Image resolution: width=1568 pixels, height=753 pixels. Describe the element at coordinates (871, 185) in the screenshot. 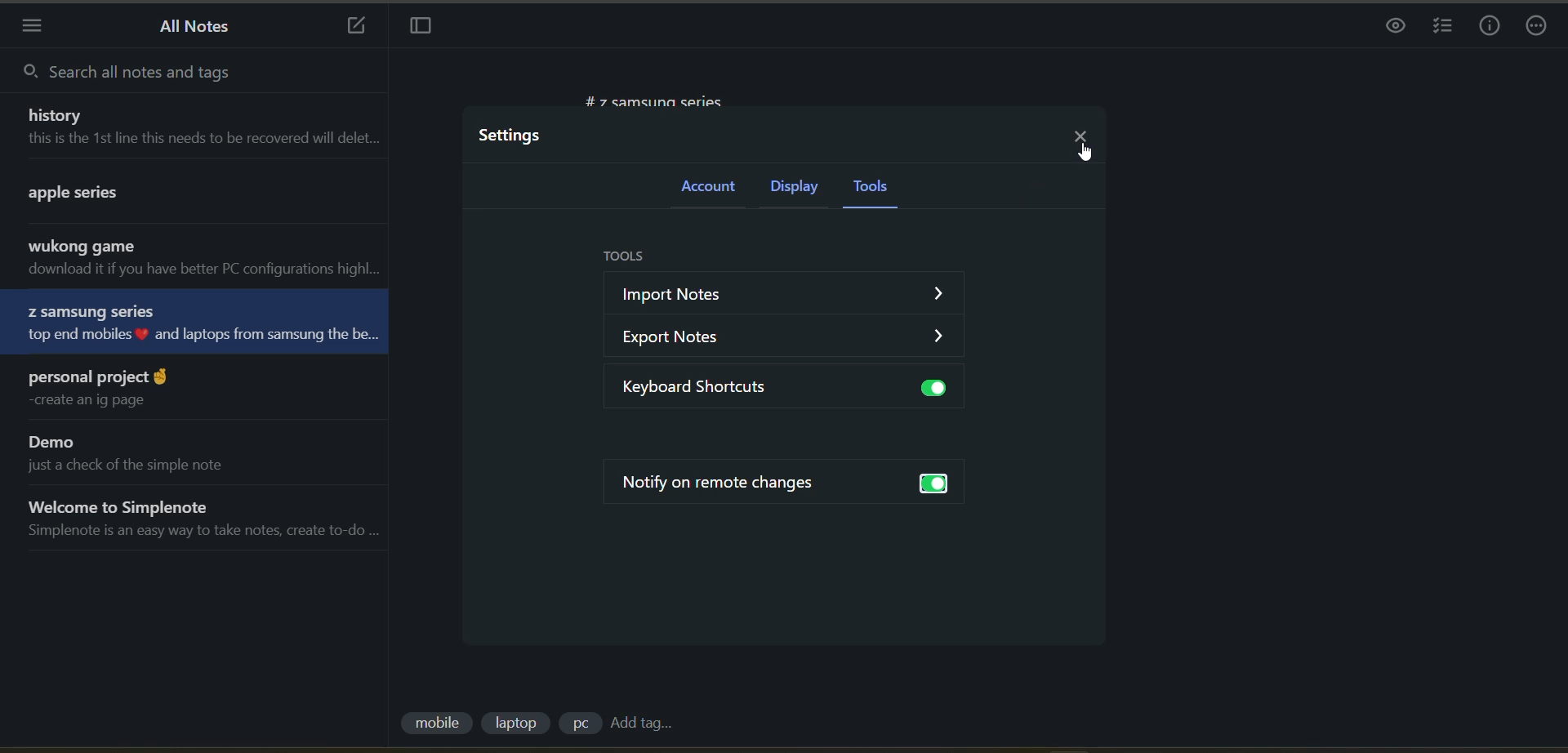

I see `tools` at that location.